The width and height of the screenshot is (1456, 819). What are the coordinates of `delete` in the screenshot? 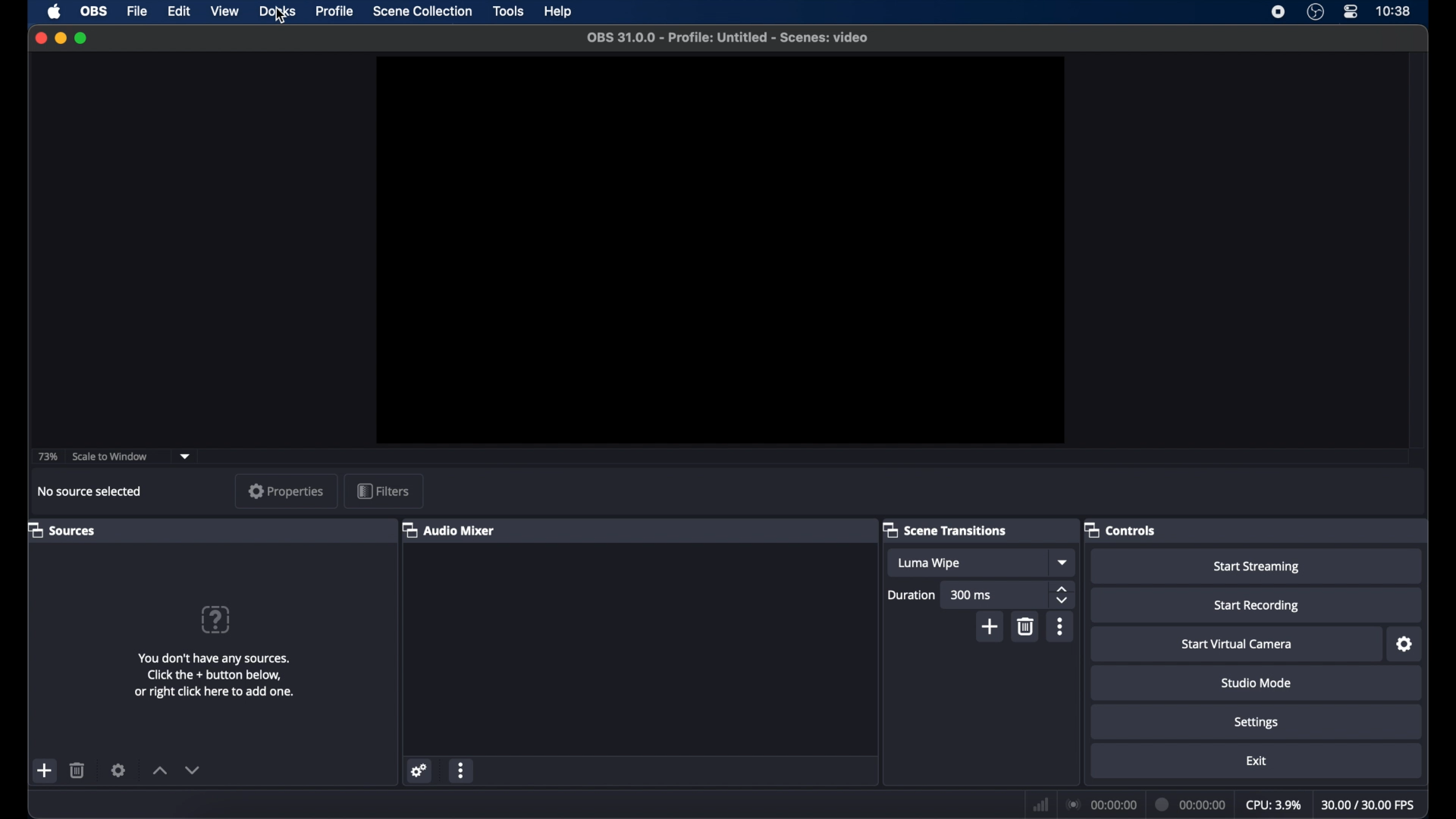 It's located at (78, 770).